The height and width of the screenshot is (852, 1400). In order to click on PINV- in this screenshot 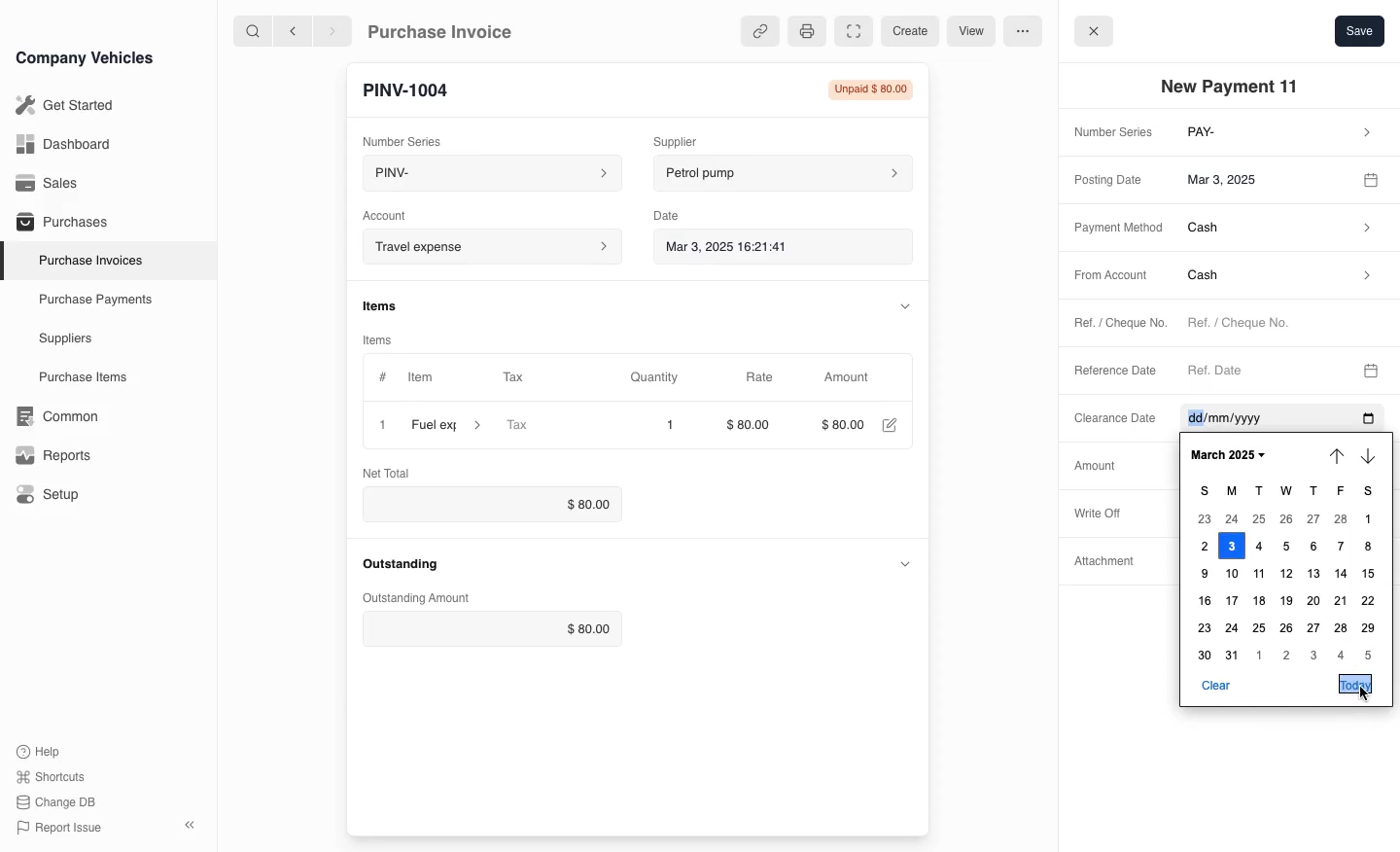, I will do `click(482, 175)`.